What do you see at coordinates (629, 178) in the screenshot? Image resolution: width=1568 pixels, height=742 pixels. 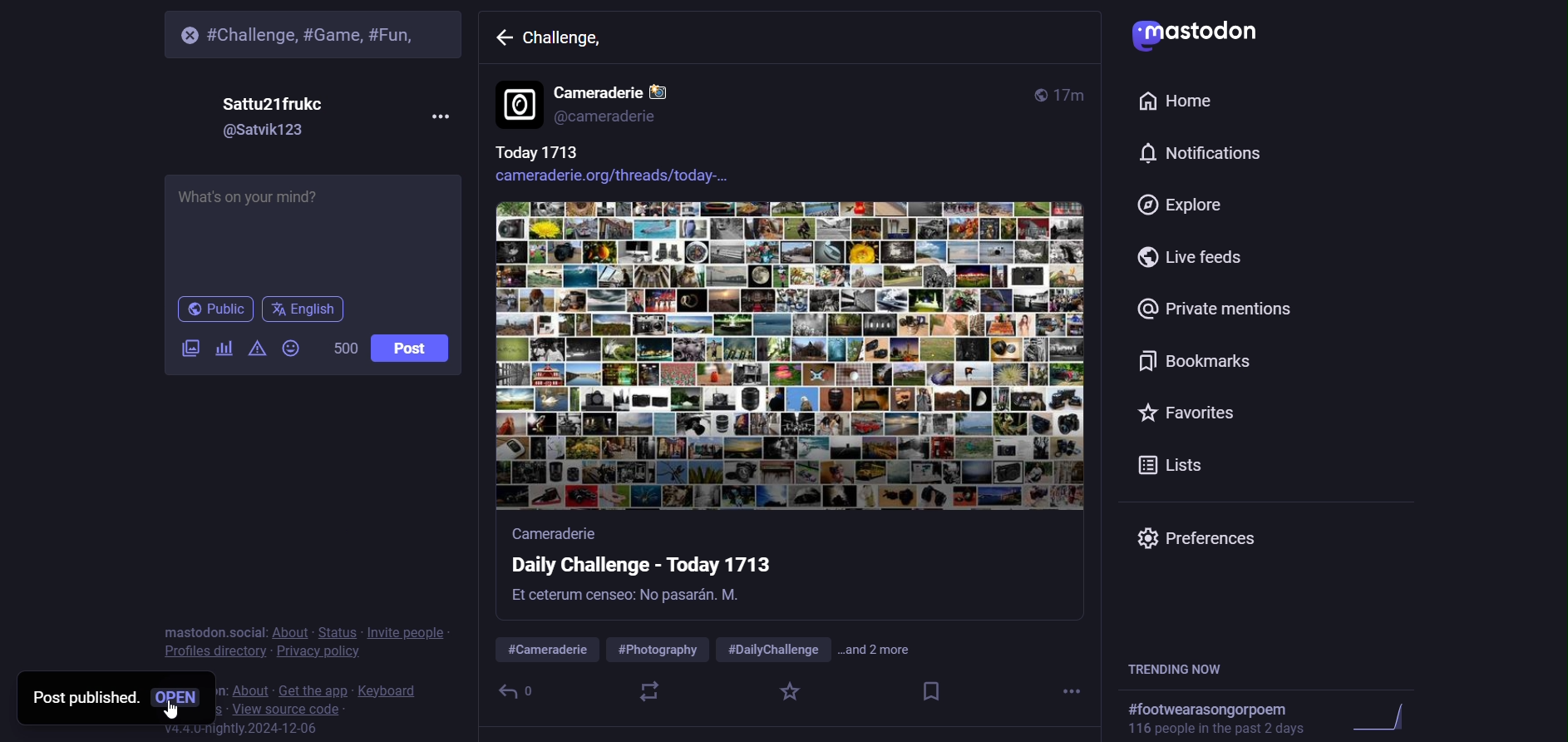 I see `cameraderie.org/threads/today-...` at bounding box center [629, 178].